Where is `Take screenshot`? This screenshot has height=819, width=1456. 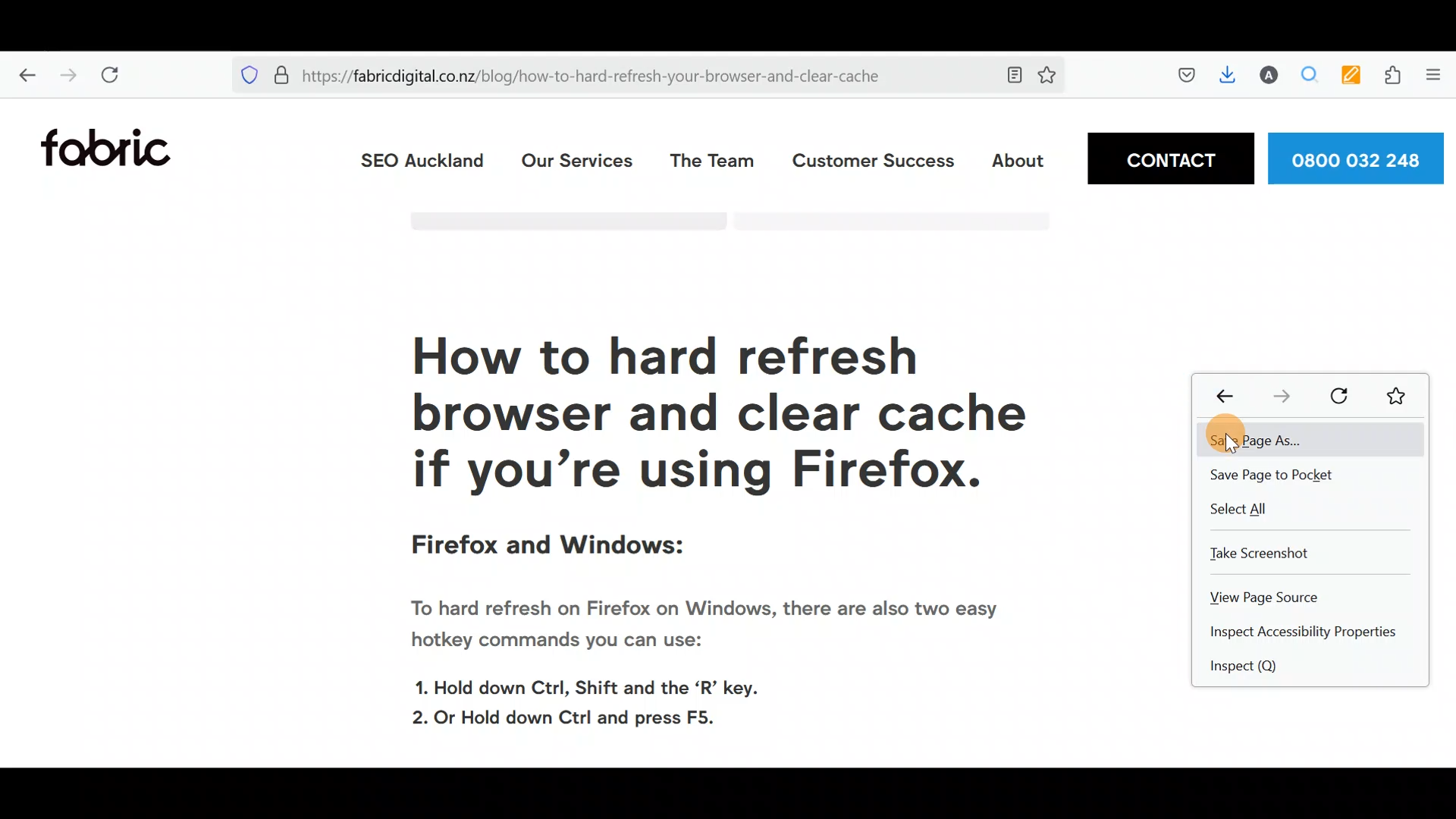 Take screenshot is located at coordinates (1264, 553).